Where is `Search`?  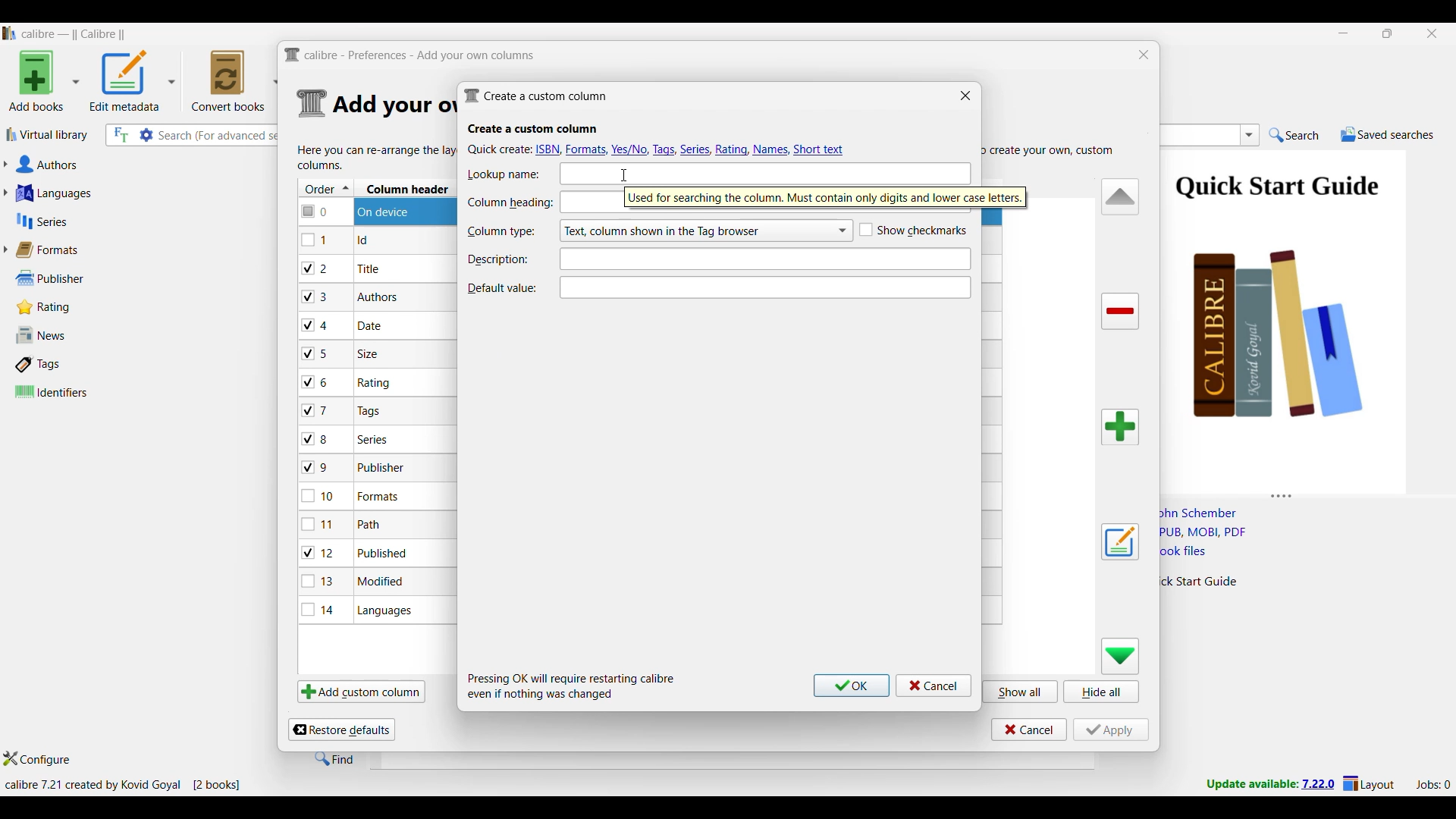
Search is located at coordinates (1294, 136).